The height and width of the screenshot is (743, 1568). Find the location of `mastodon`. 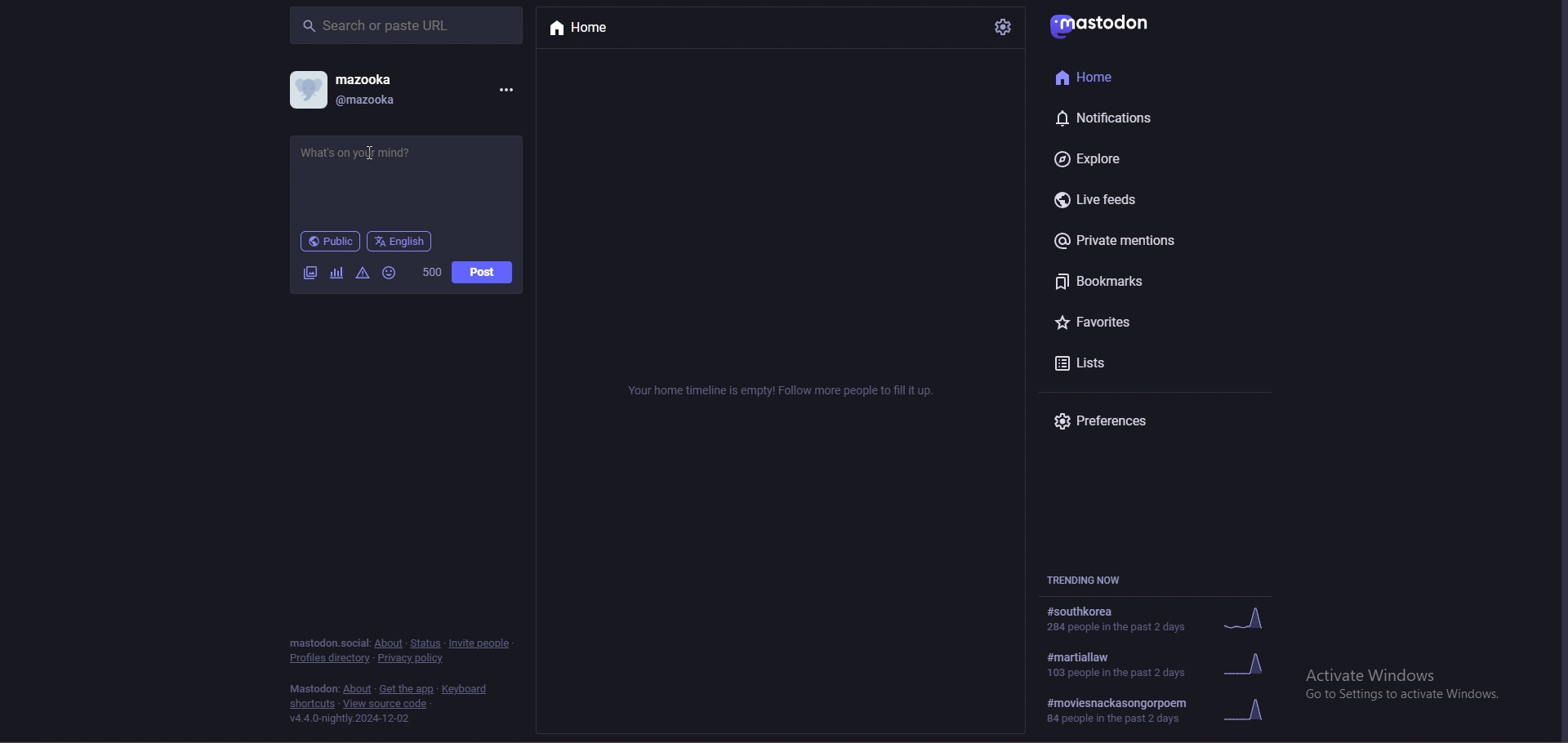

mastodon is located at coordinates (310, 689).